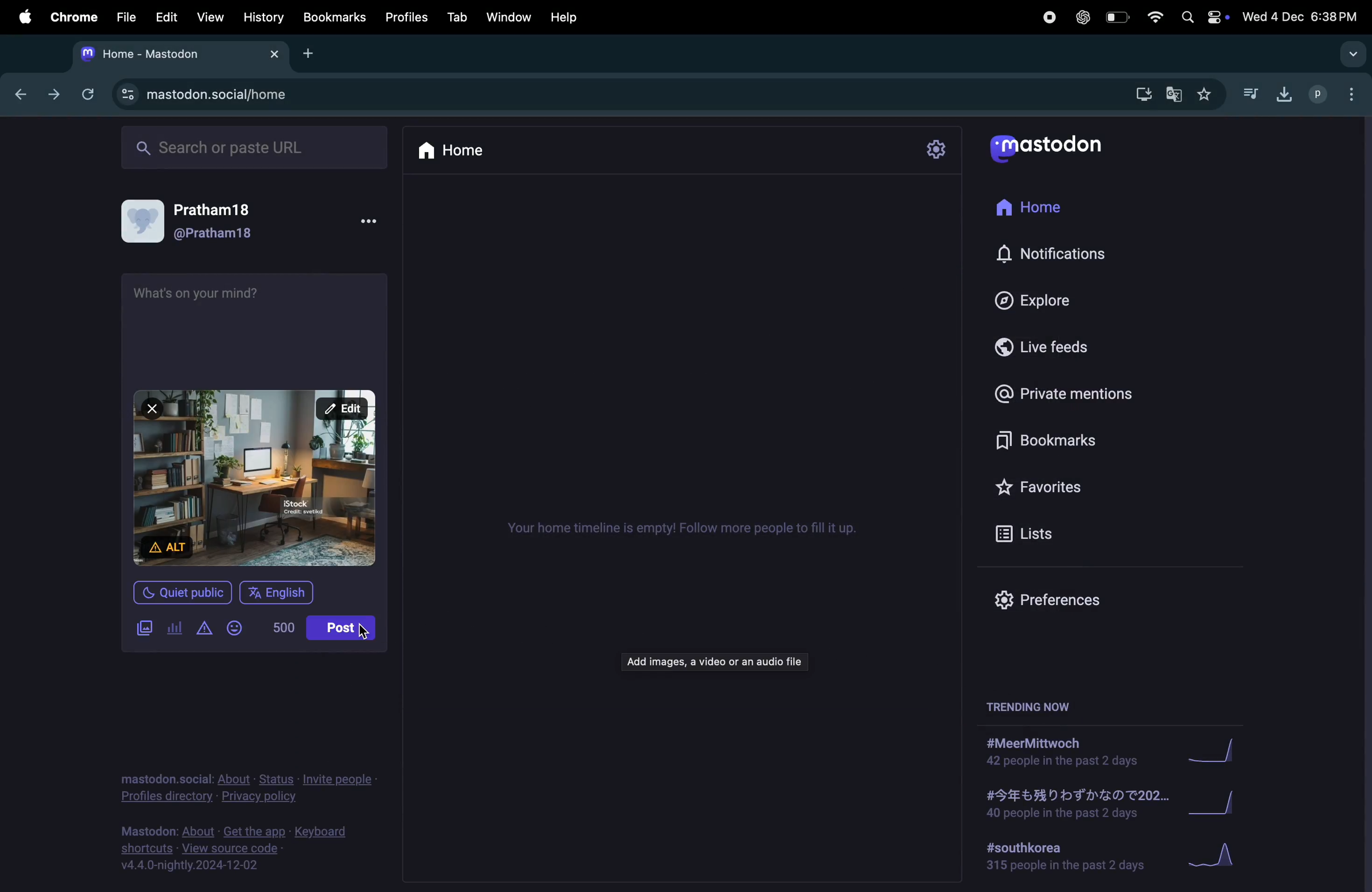 This screenshot has width=1372, height=892. I want to click on backward, so click(16, 96).